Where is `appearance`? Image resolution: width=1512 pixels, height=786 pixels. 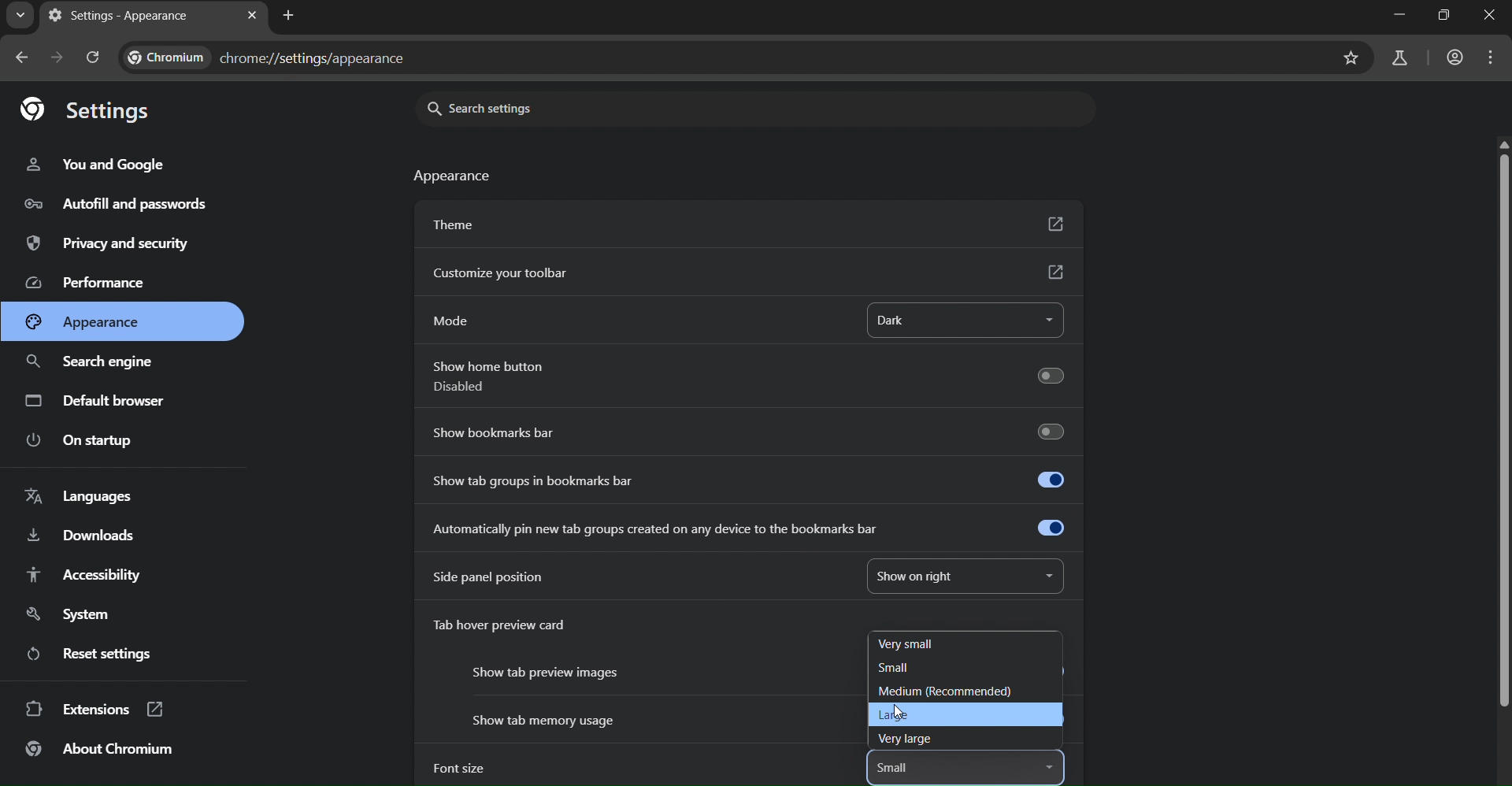
appearance is located at coordinates (84, 321).